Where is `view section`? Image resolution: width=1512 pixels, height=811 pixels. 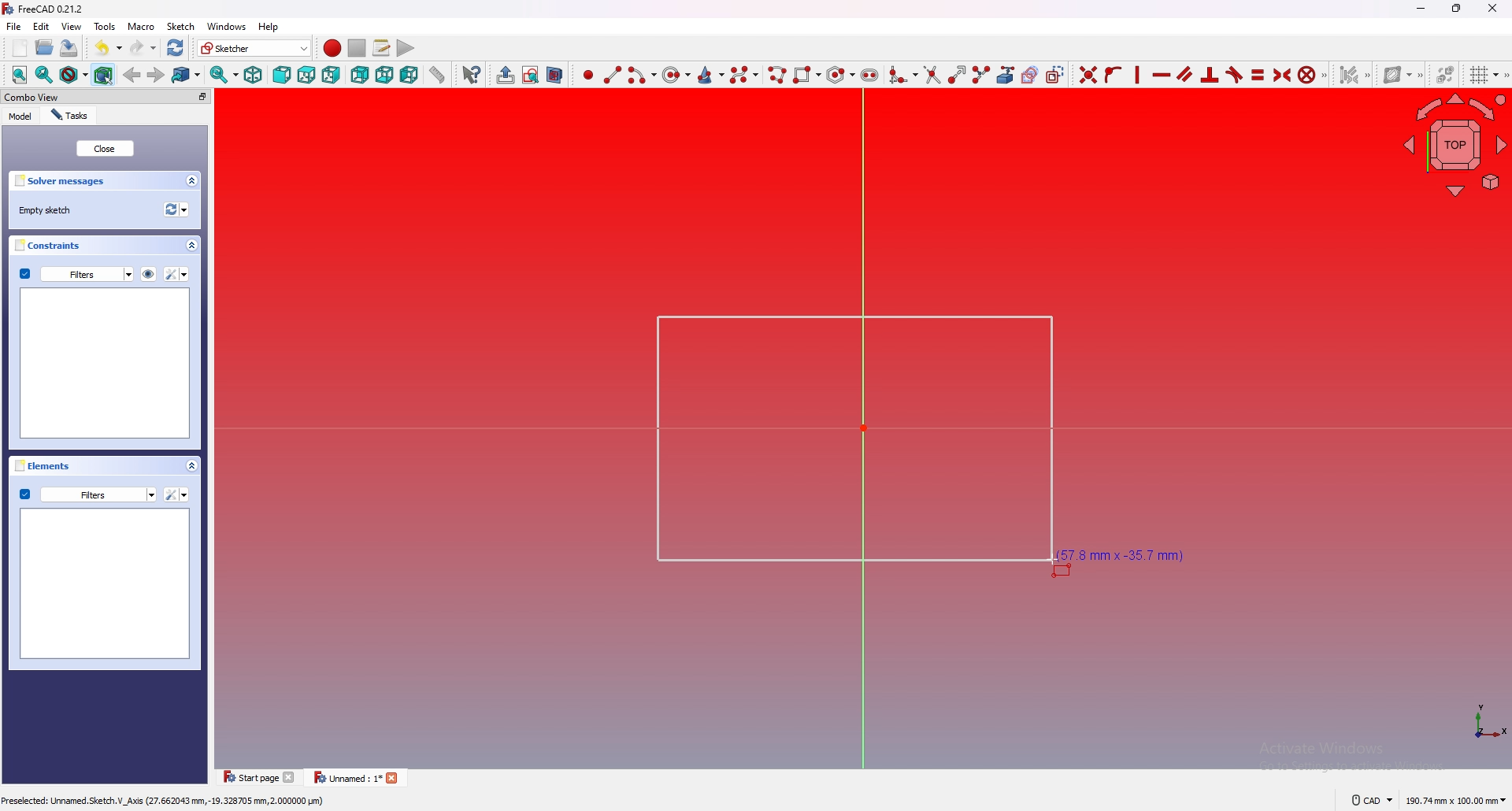 view section is located at coordinates (555, 76).